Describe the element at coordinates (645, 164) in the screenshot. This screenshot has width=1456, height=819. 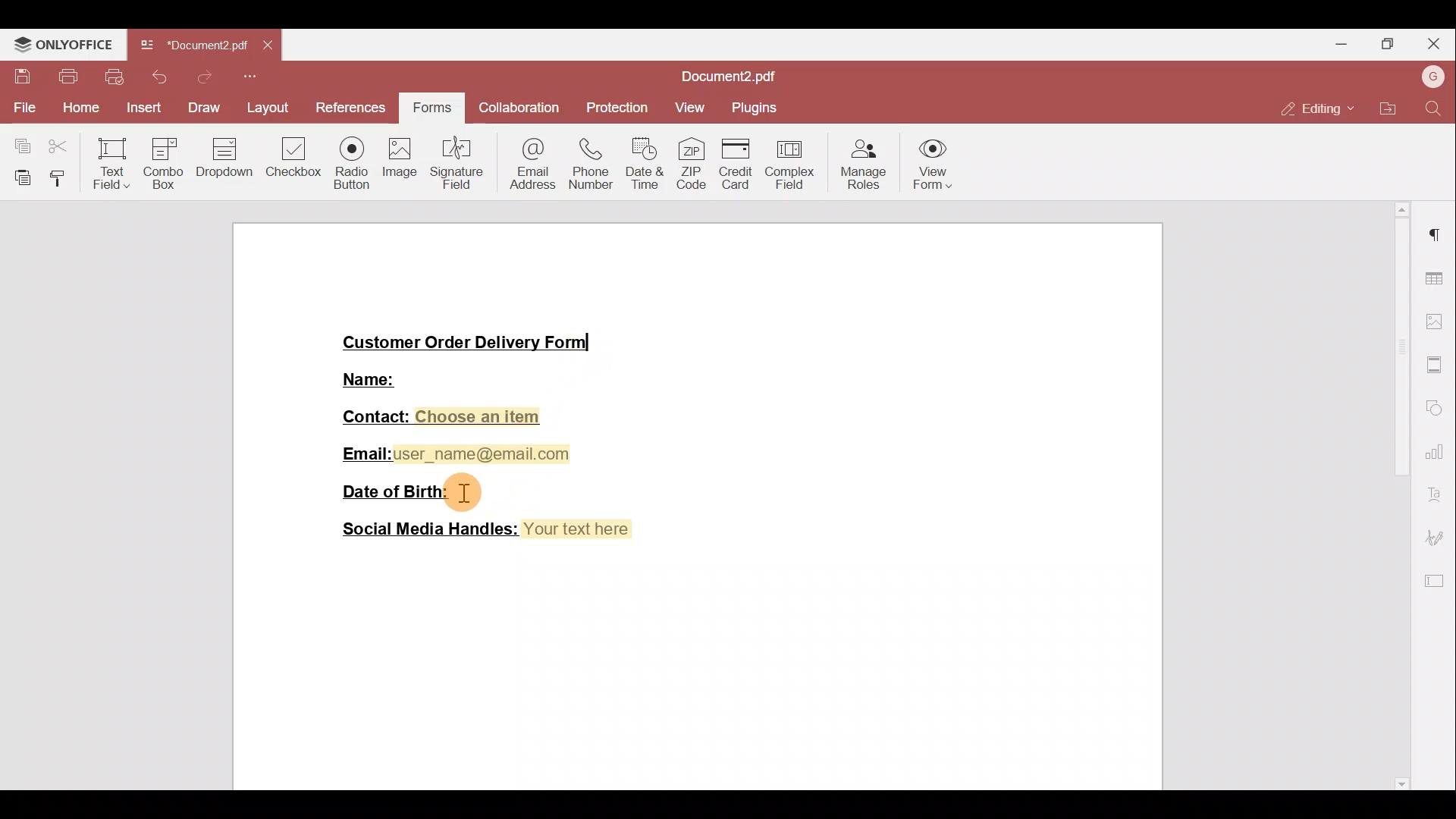
I see `Date & time` at that location.